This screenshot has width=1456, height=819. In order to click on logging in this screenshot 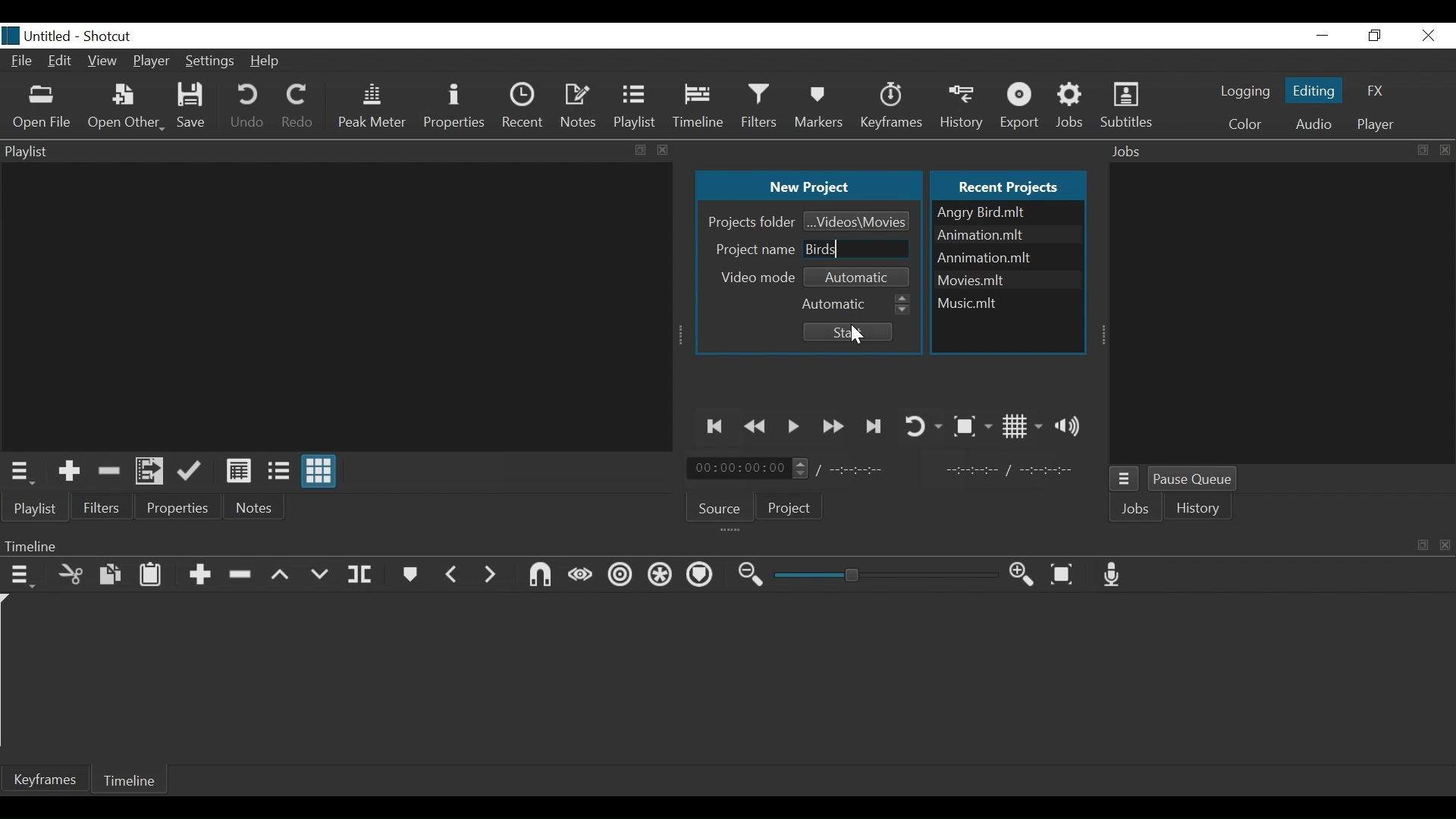, I will do `click(1244, 93)`.